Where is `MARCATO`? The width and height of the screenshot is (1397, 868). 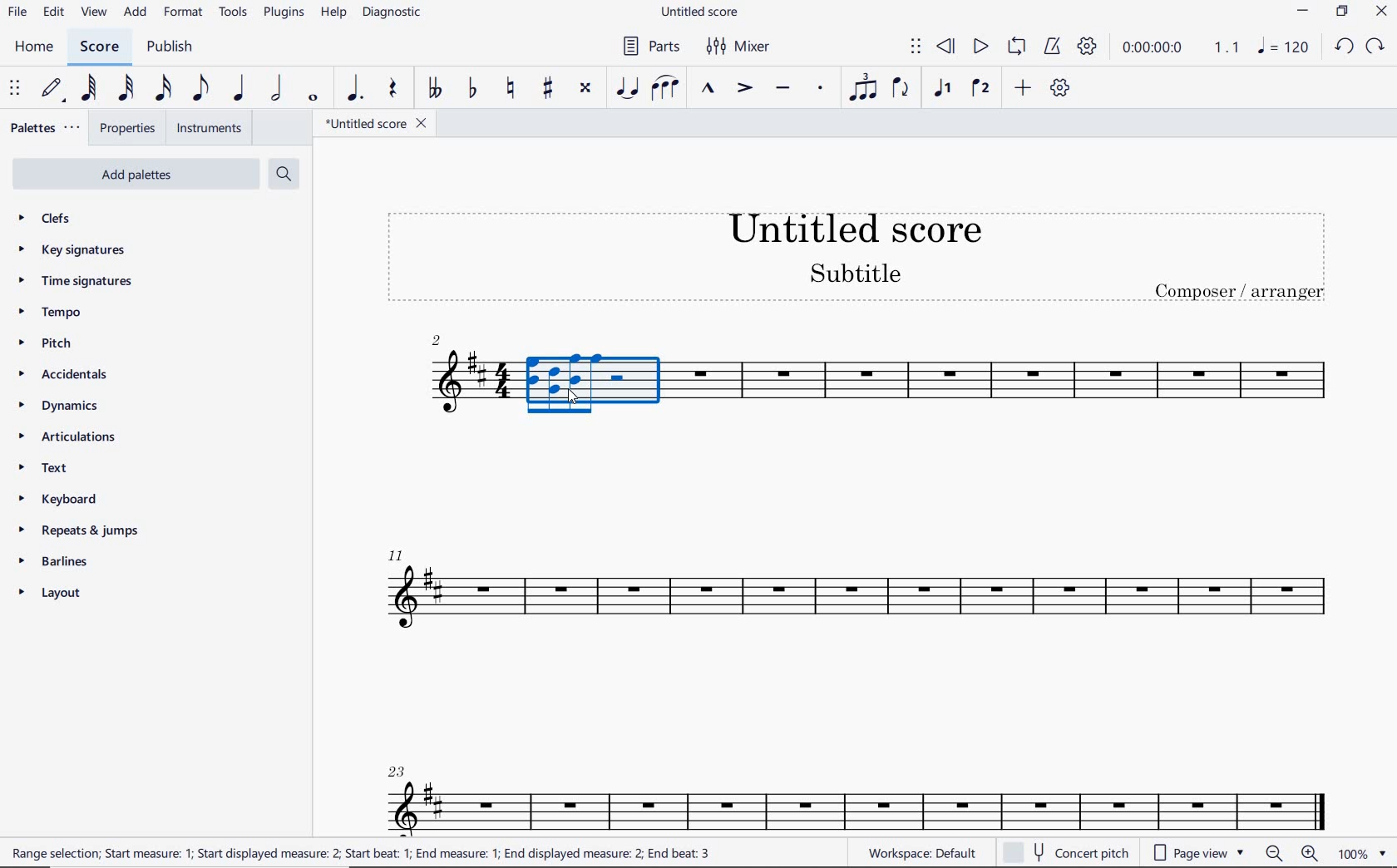
MARCATO is located at coordinates (706, 90).